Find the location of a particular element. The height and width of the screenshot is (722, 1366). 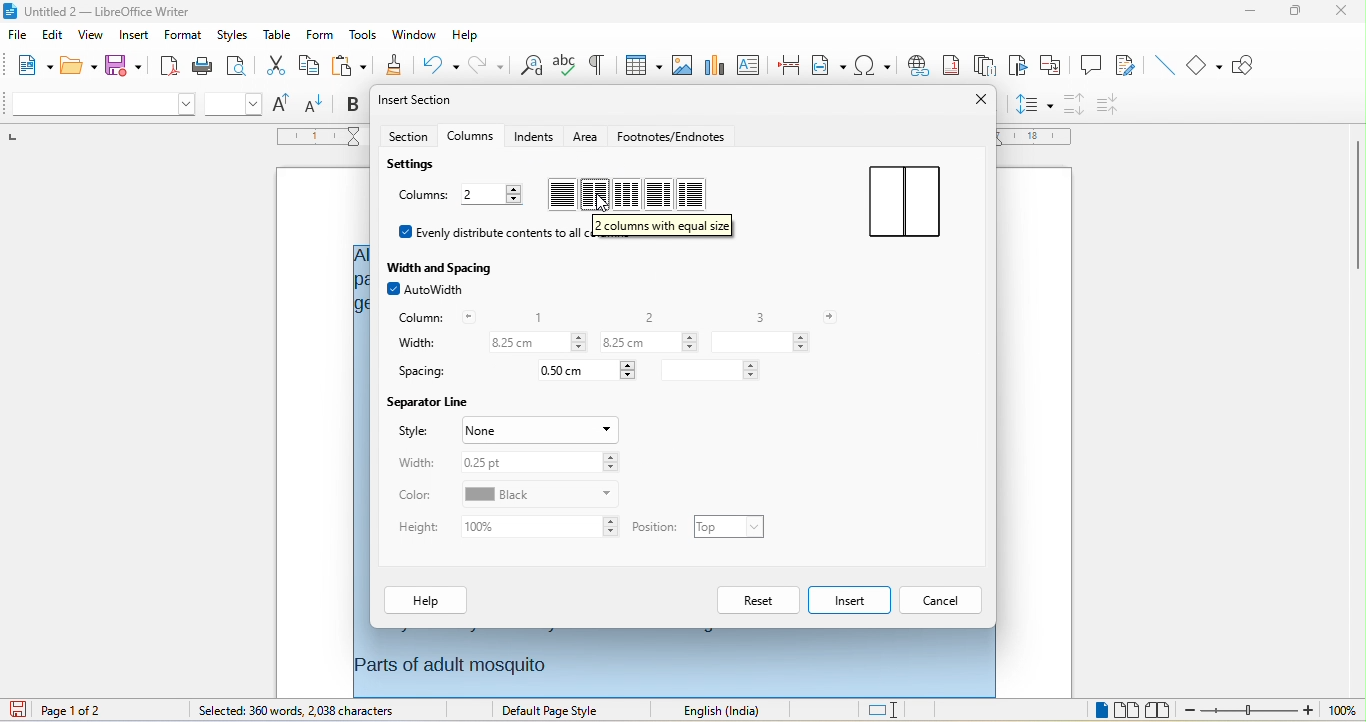

zoom is located at coordinates (1248, 711).